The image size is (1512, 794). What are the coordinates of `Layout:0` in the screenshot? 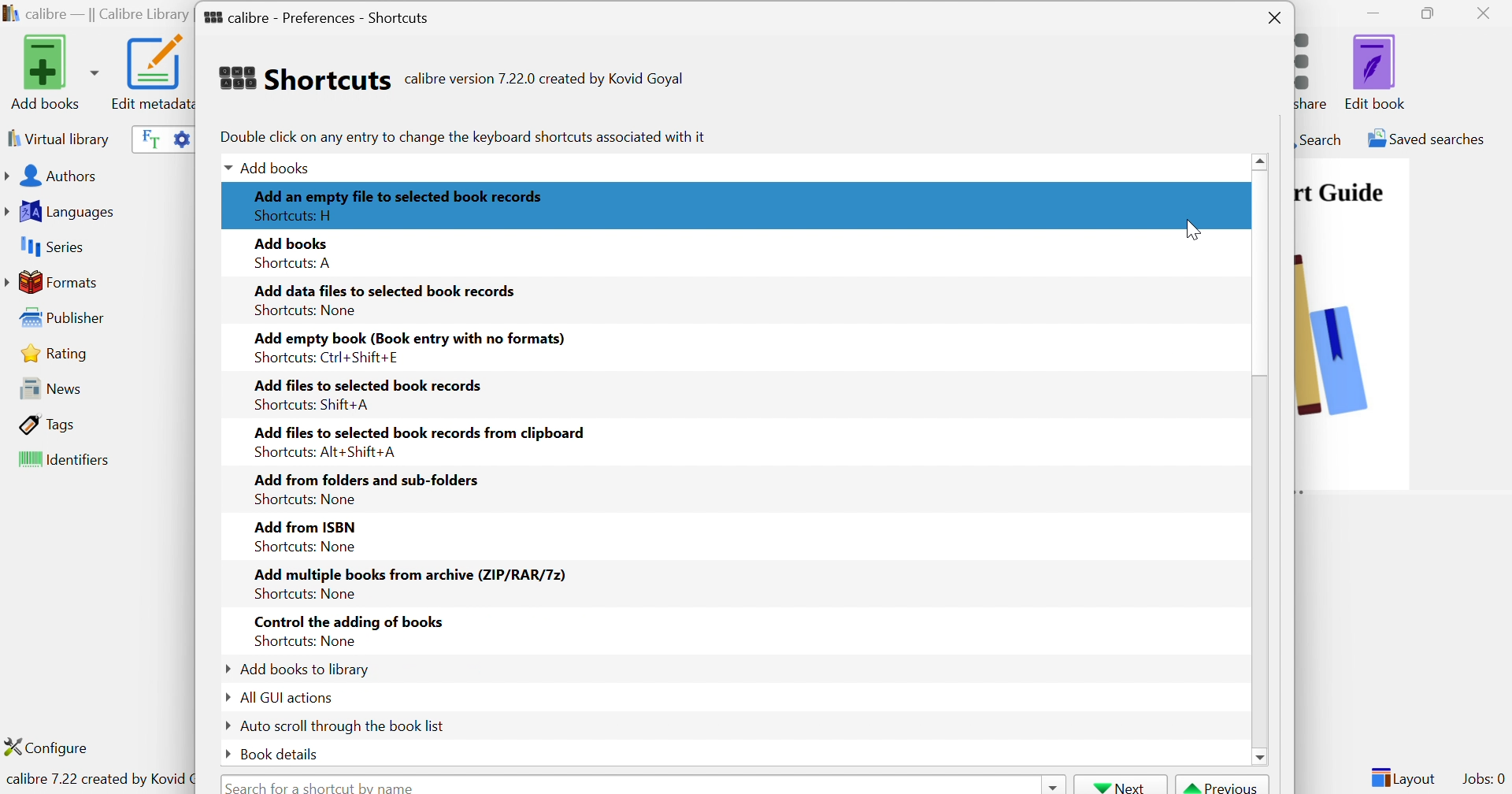 It's located at (1403, 777).